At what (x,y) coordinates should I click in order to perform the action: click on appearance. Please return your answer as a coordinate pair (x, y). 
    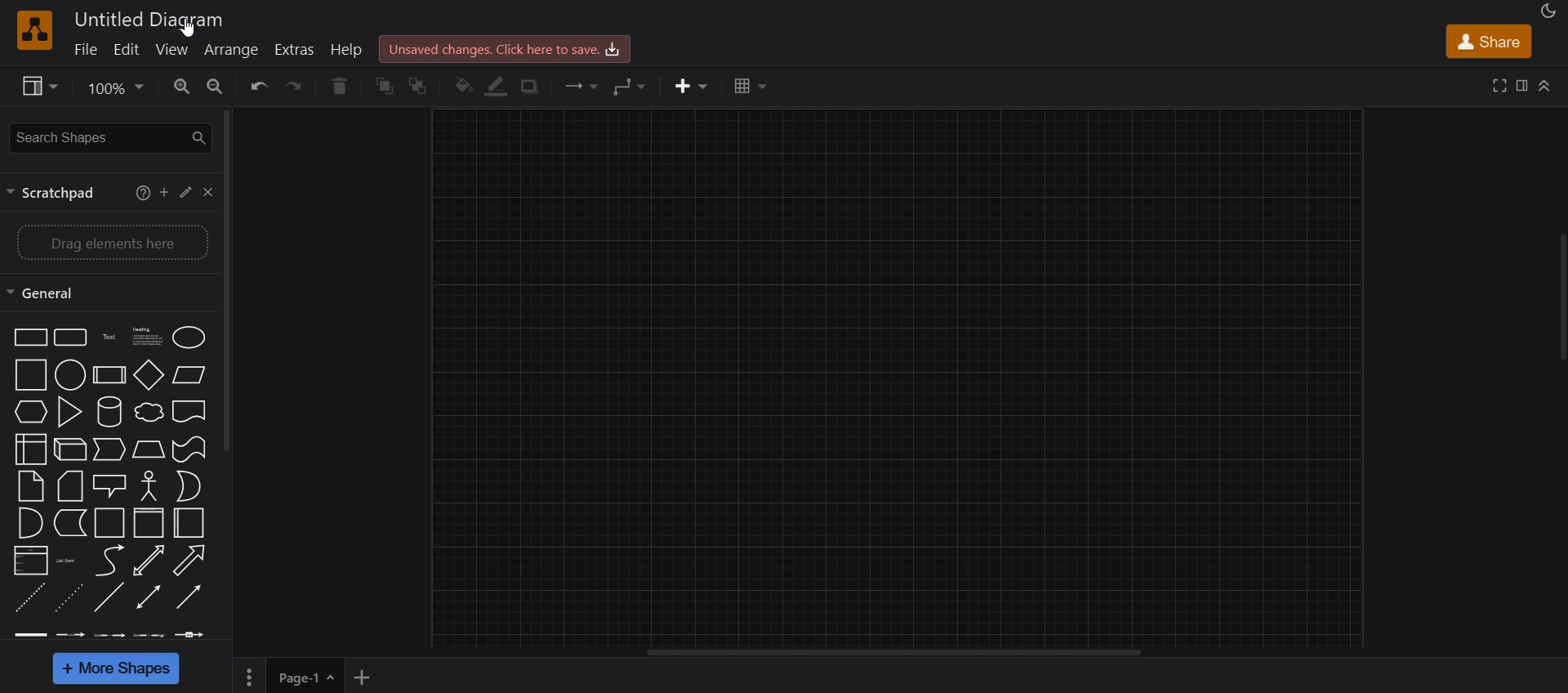
    Looking at the image, I should click on (1546, 12).